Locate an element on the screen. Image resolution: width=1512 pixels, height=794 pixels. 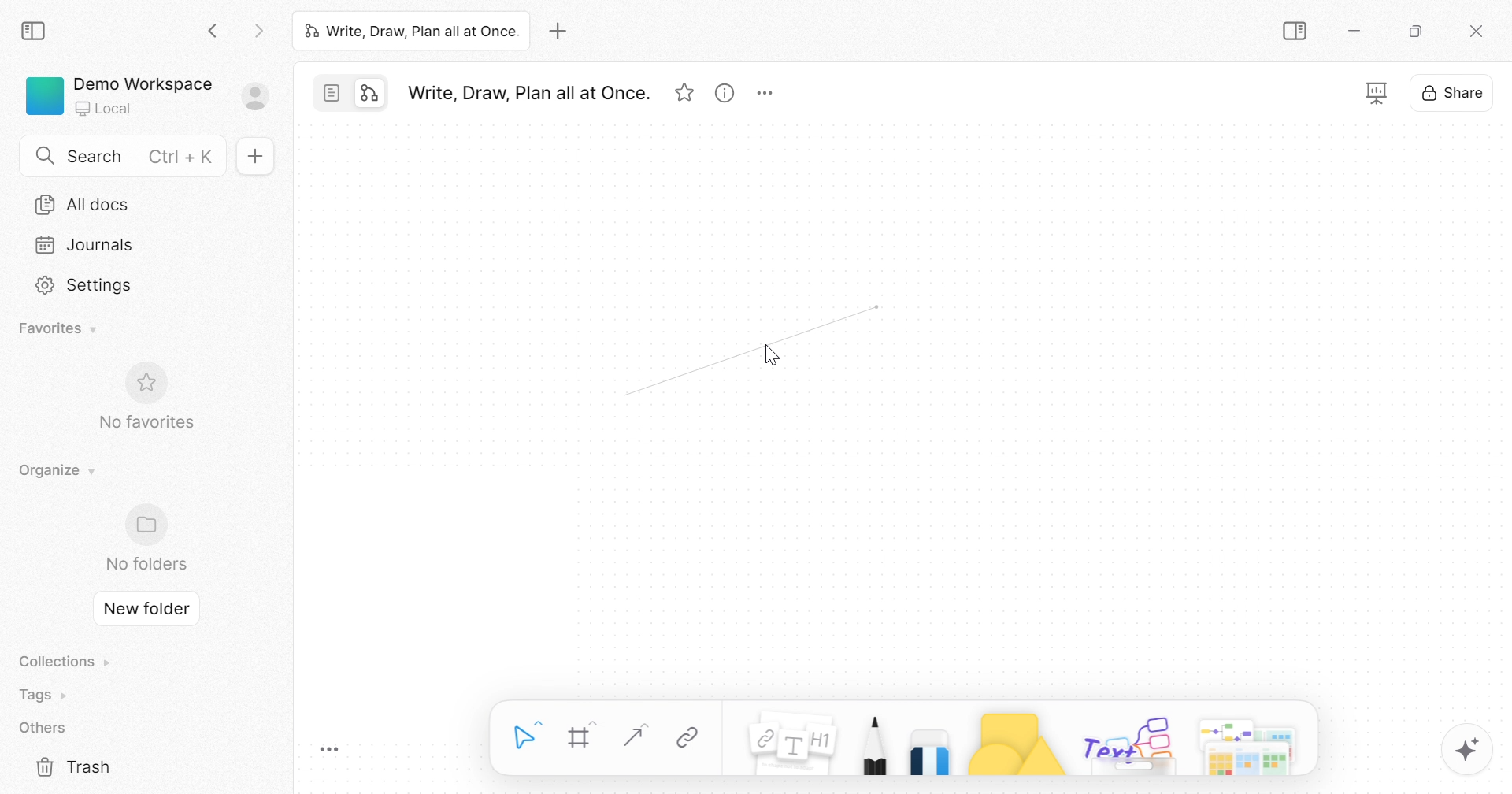
New doc is located at coordinates (258, 157).